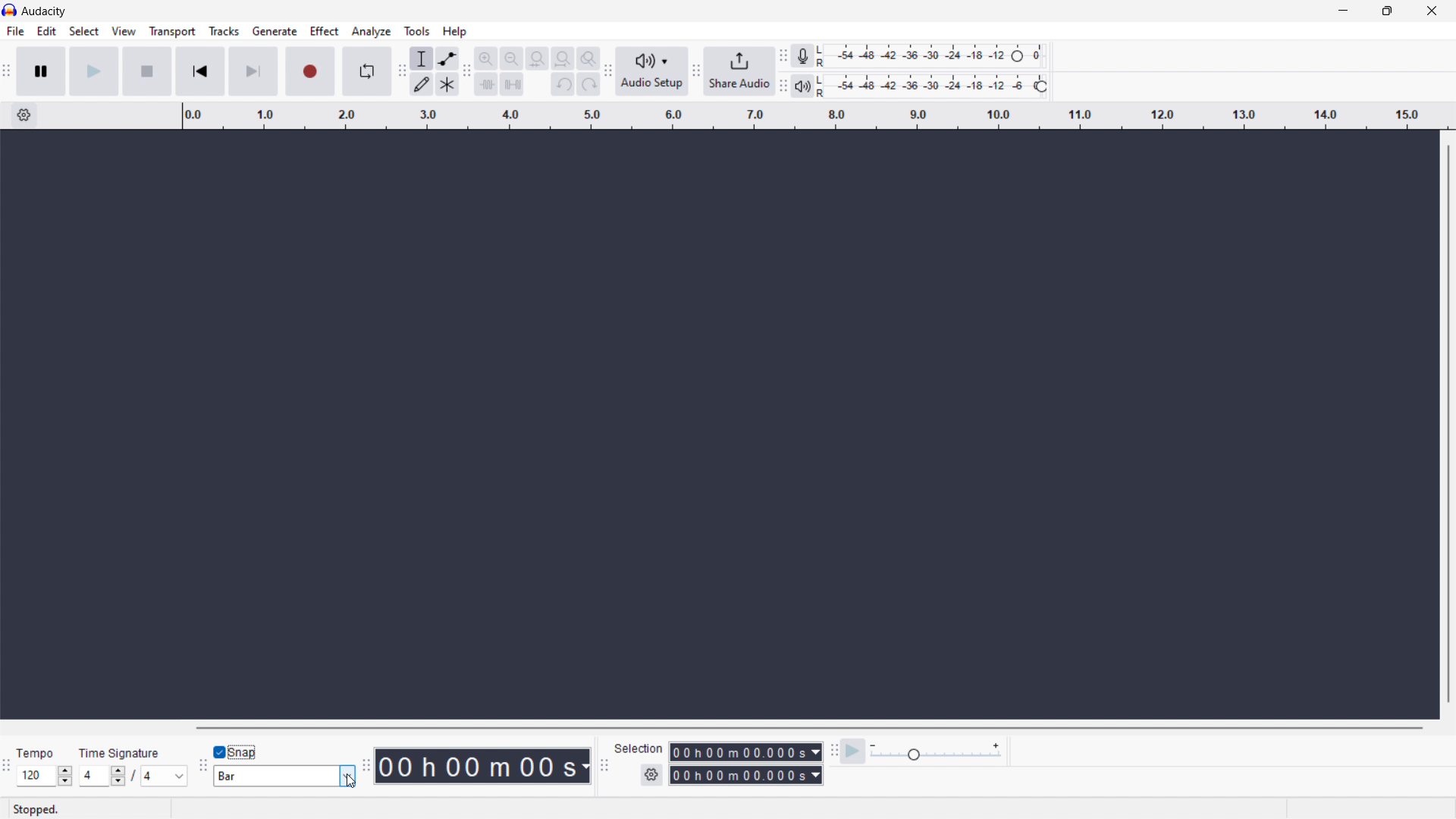  What do you see at coordinates (537, 58) in the screenshot?
I see `fit selection to width` at bounding box center [537, 58].